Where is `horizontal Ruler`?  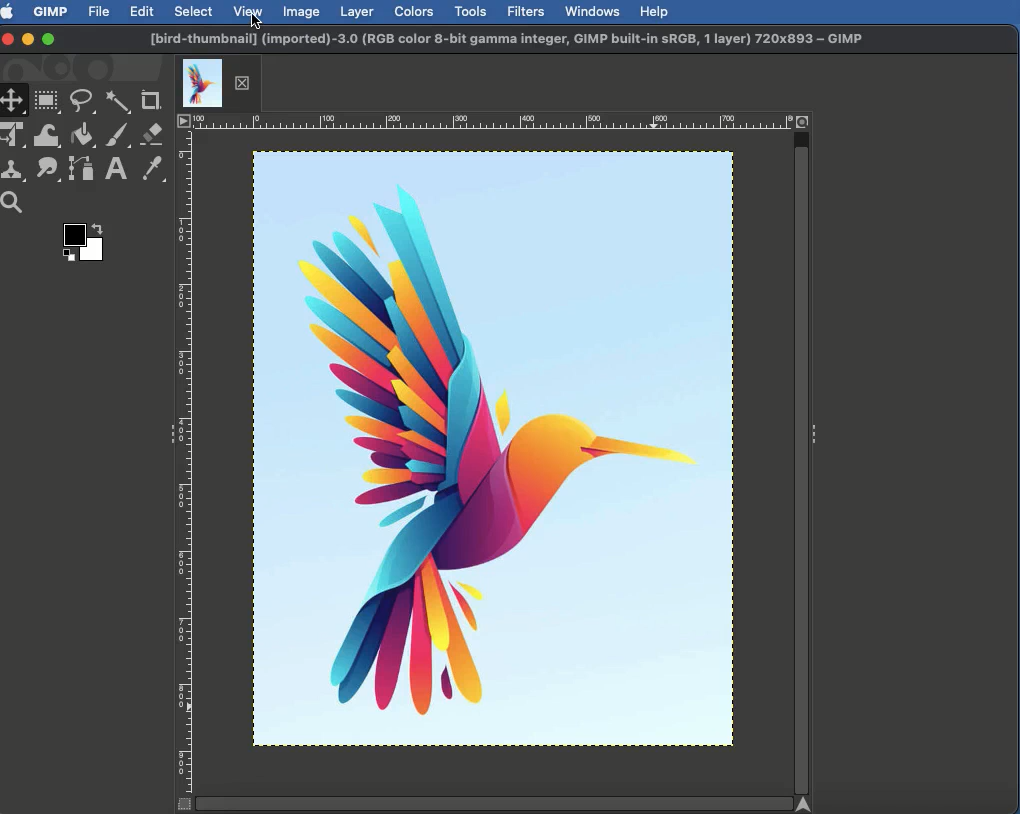 horizontal Ruler is located at coordinates (492, 121).